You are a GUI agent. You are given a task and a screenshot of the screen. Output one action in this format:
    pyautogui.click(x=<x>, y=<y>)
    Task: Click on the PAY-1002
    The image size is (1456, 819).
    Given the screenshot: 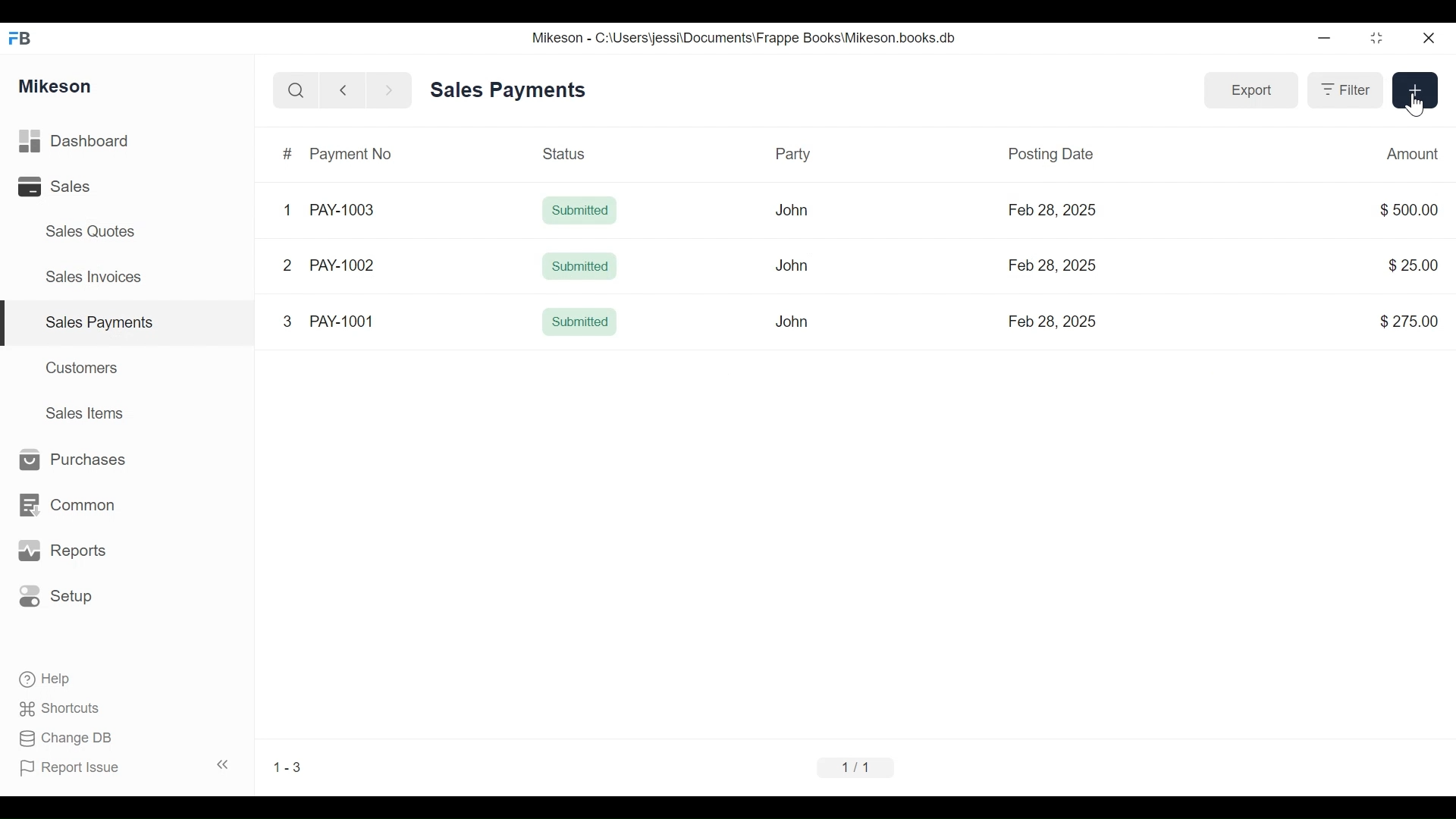 What is the action you would take?
    pyautogui.click(x=342, y=264)
    